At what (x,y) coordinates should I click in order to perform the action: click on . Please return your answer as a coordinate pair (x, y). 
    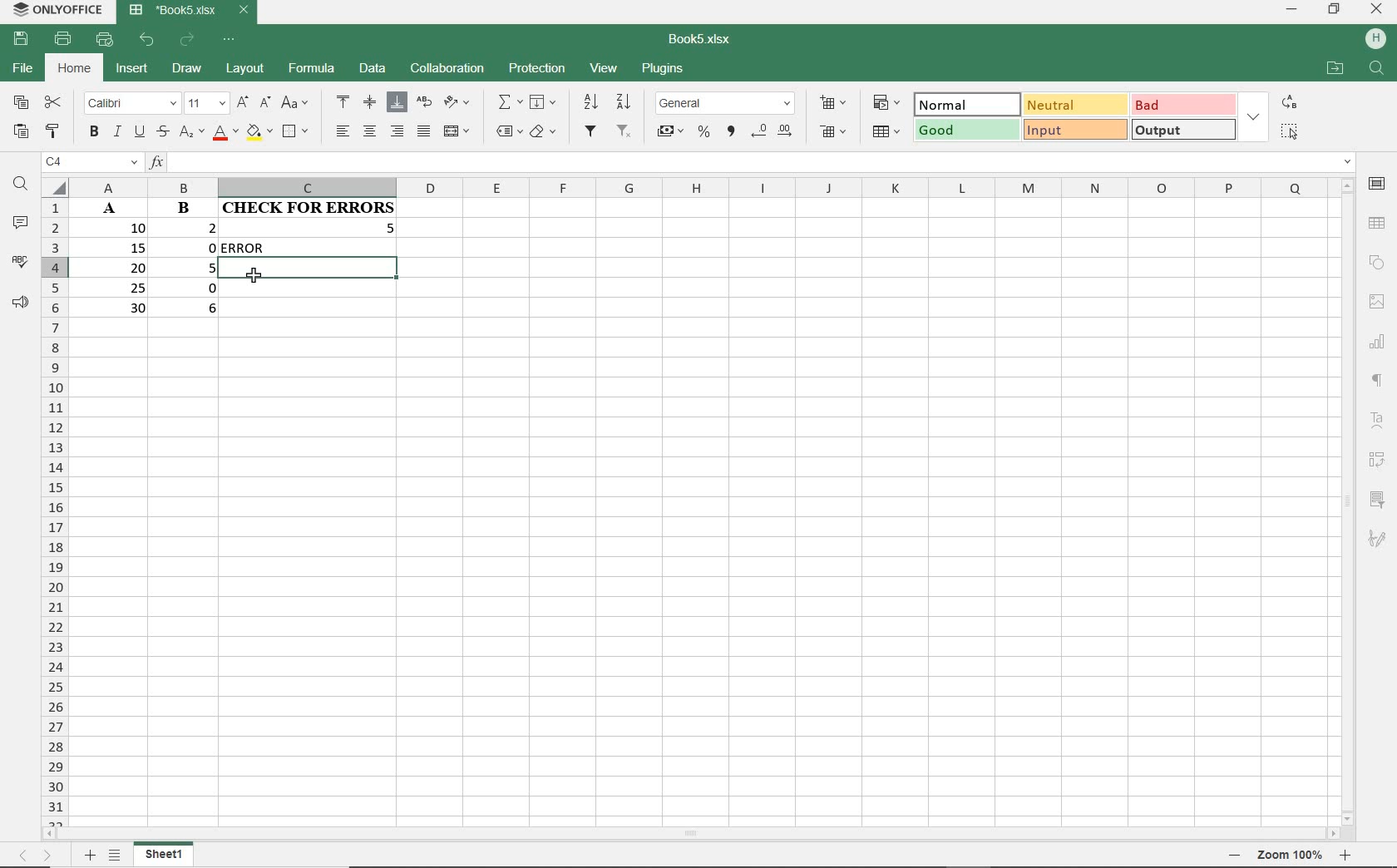
    Looking at the image, I should click on (1380, 339).